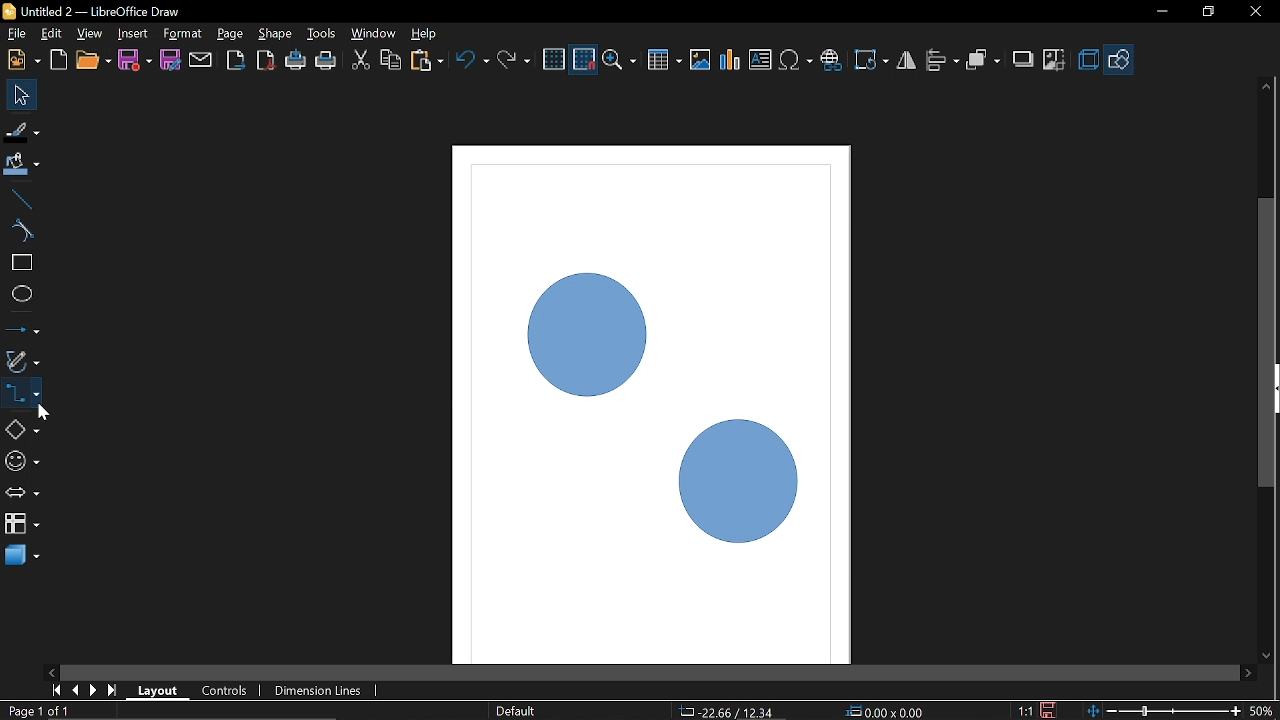  What do you see at coordinates (38, 712) in the screenshot?
I see `Current page` at bounding box center [38, 712].